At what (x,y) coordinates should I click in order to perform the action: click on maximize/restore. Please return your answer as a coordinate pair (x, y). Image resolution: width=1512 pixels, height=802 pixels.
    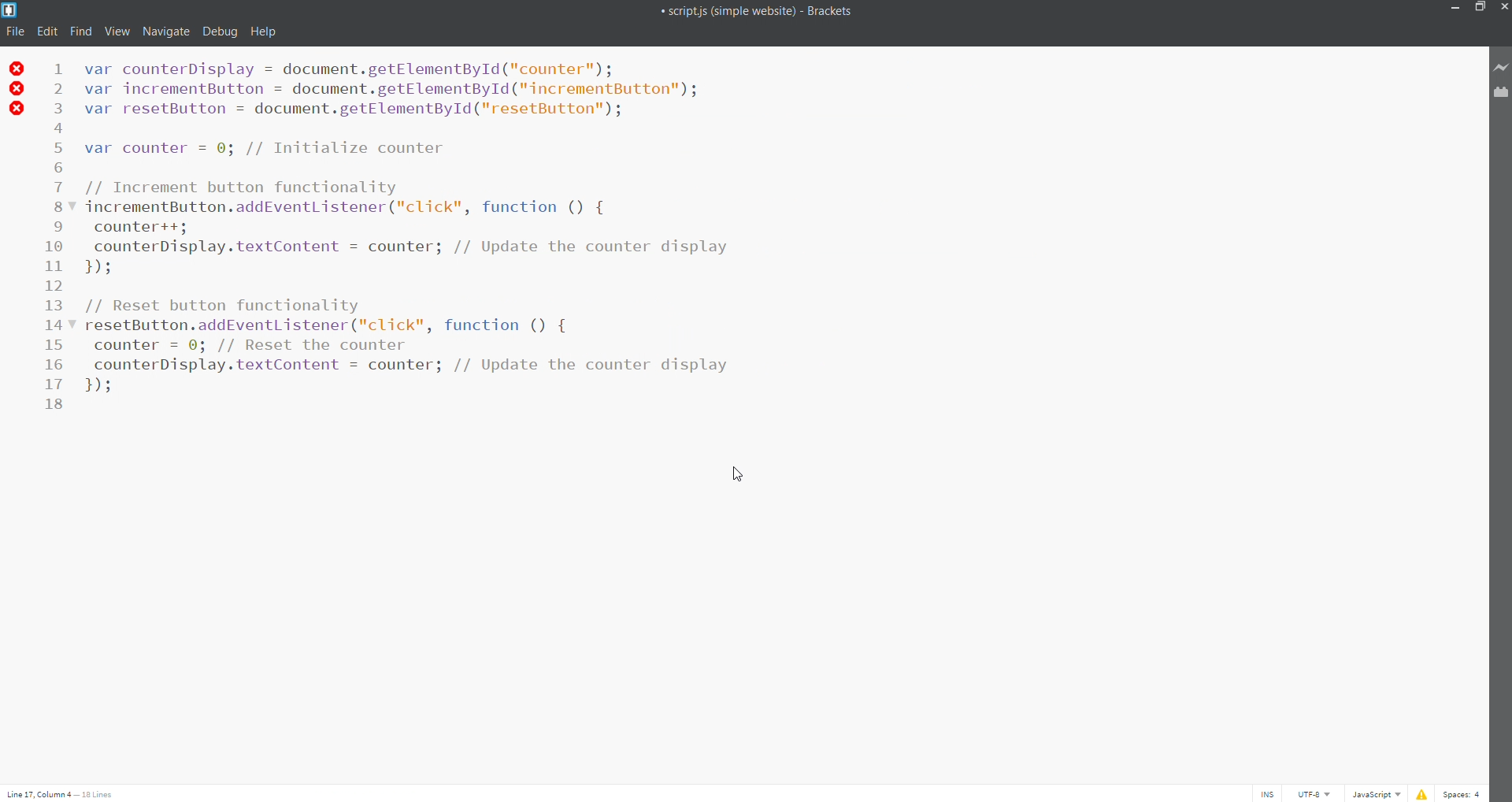
    Looking at the image, I should click on (1479, 8).